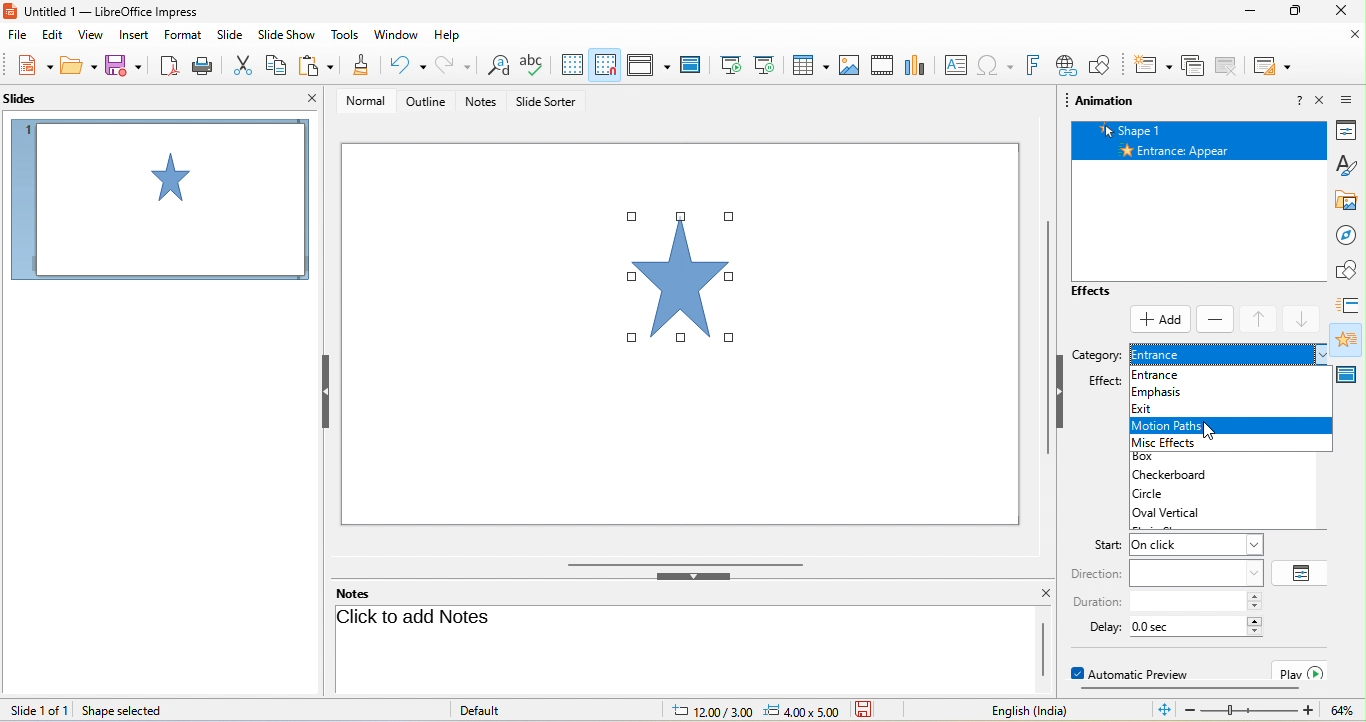 The height and width of the screenshot is (722, 1366). Describe the element at coordinates (1179, 474) in the screenshot. I see `checkerboard` at that location.